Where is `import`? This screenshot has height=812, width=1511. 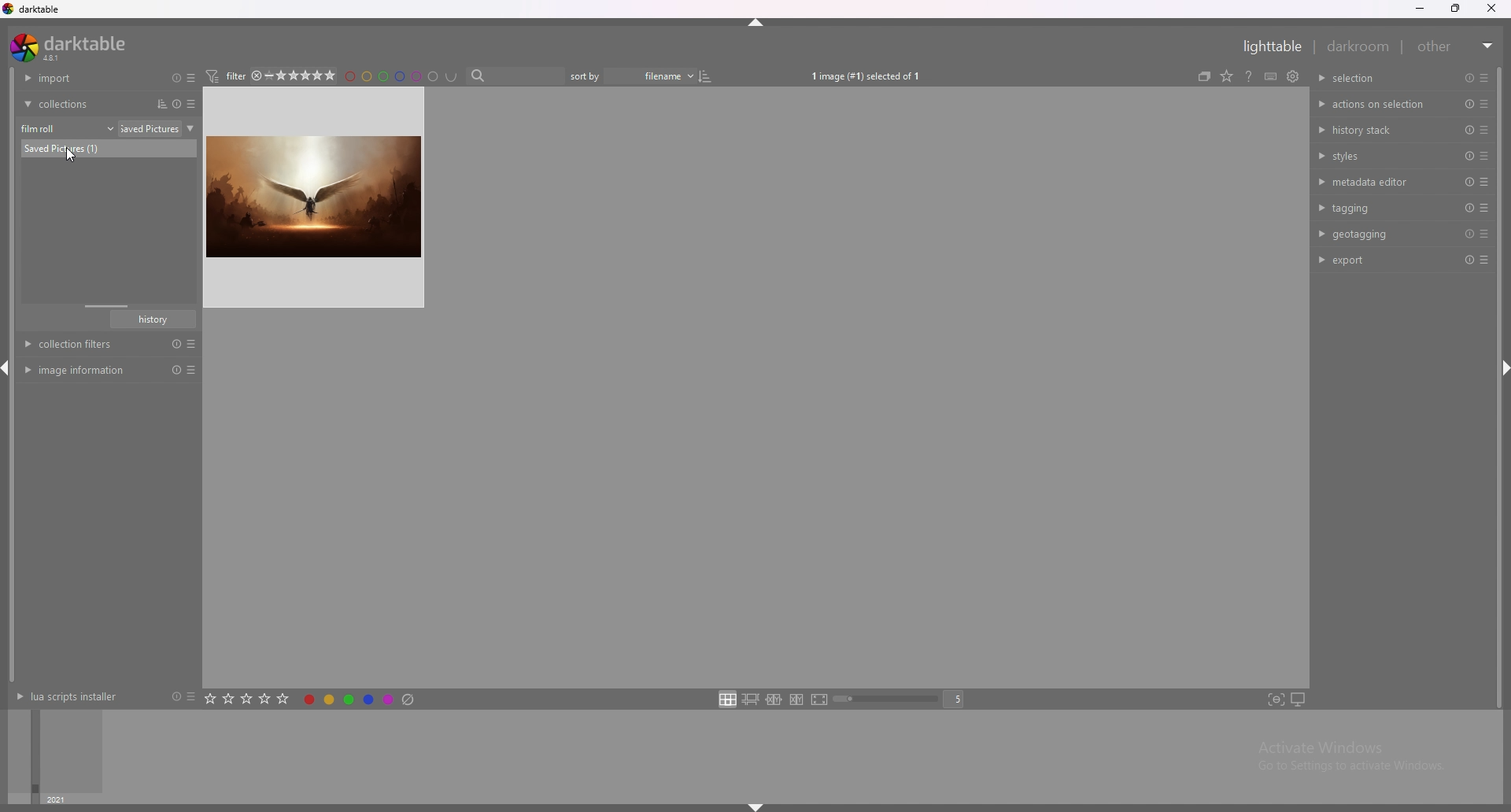
import is located at coordinates (79, 78).